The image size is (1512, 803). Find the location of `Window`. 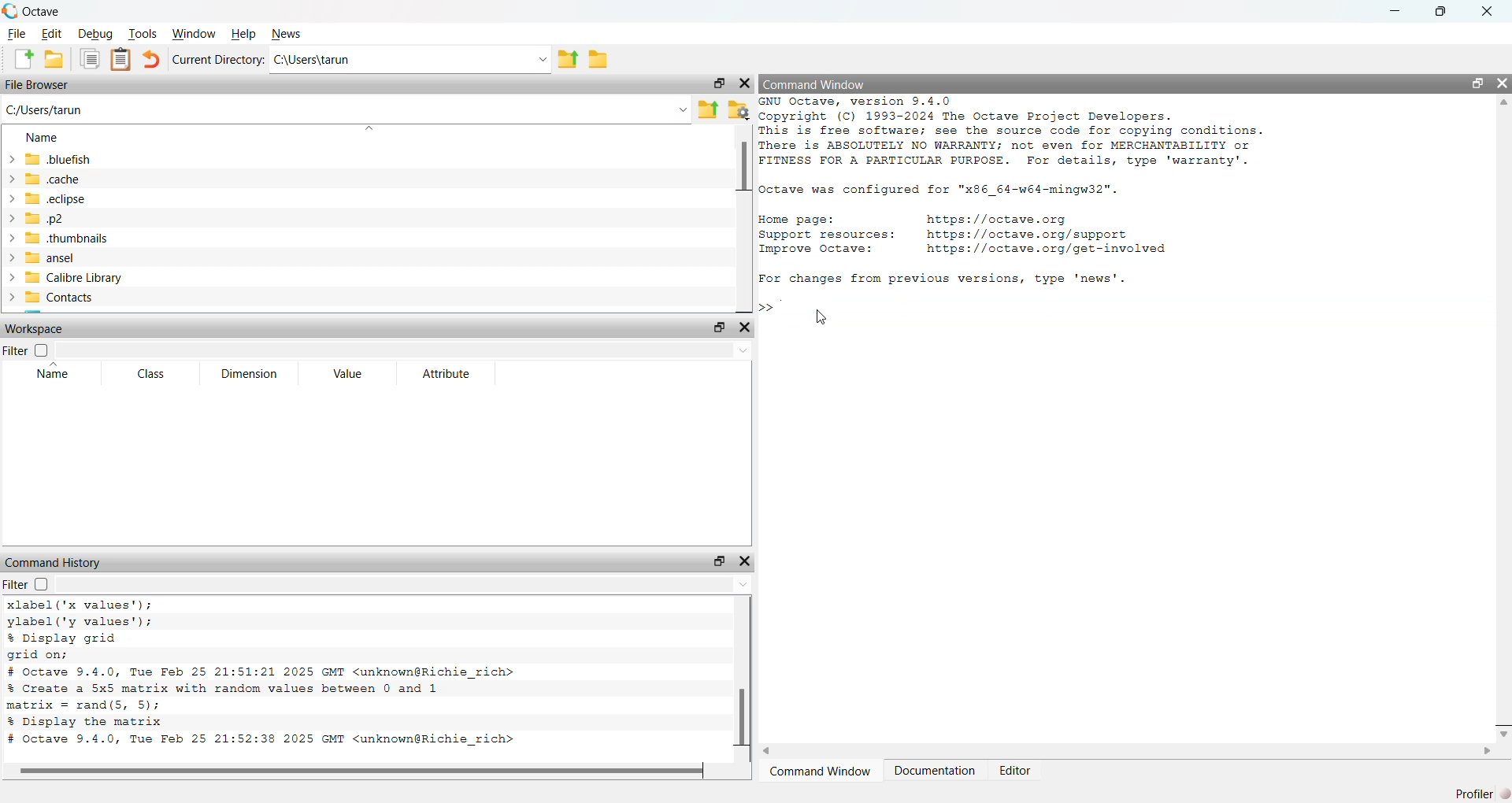

Window is located at coordinates (197, 33).